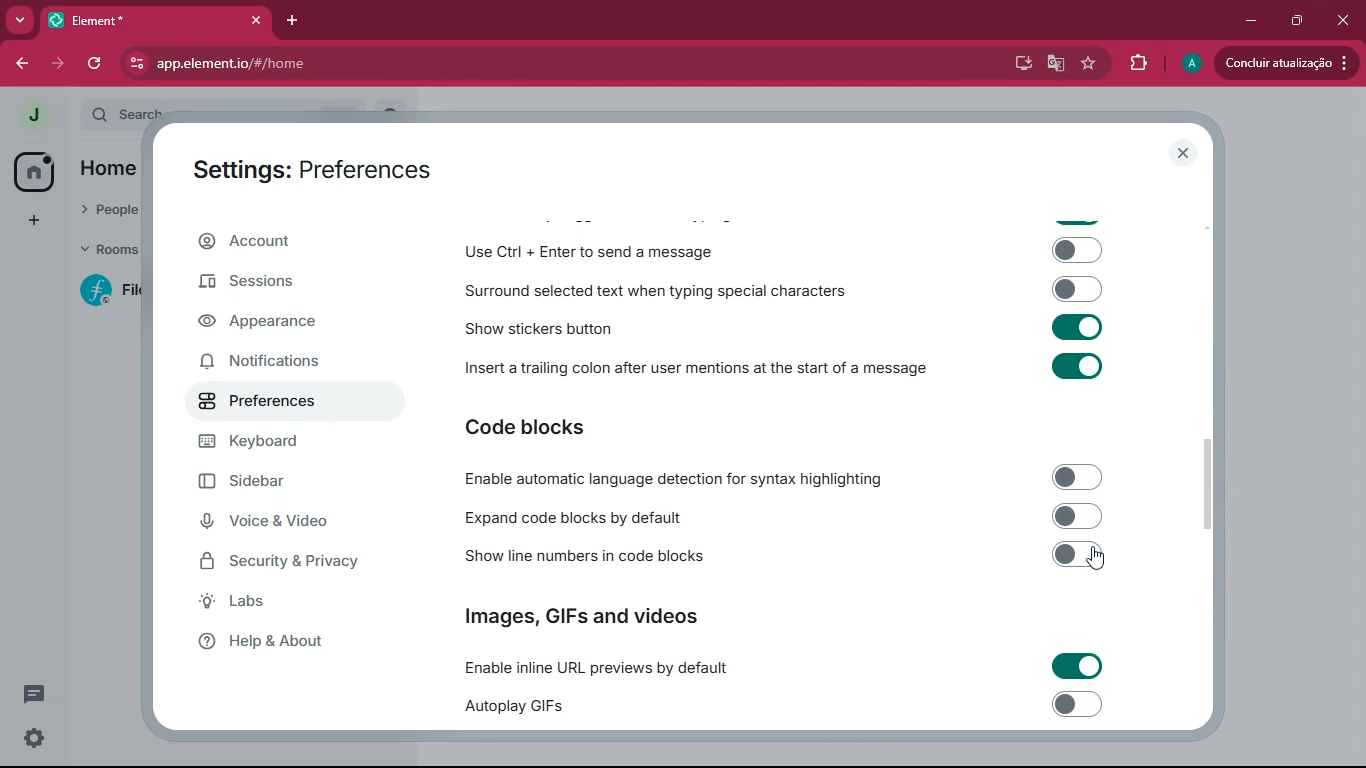 This screenshot has width=1366, height=768. What do you see at coordinates (118, 292) in the screenshot?
I see `filecoin lotus implementation ` at bounding box center [118, 292].